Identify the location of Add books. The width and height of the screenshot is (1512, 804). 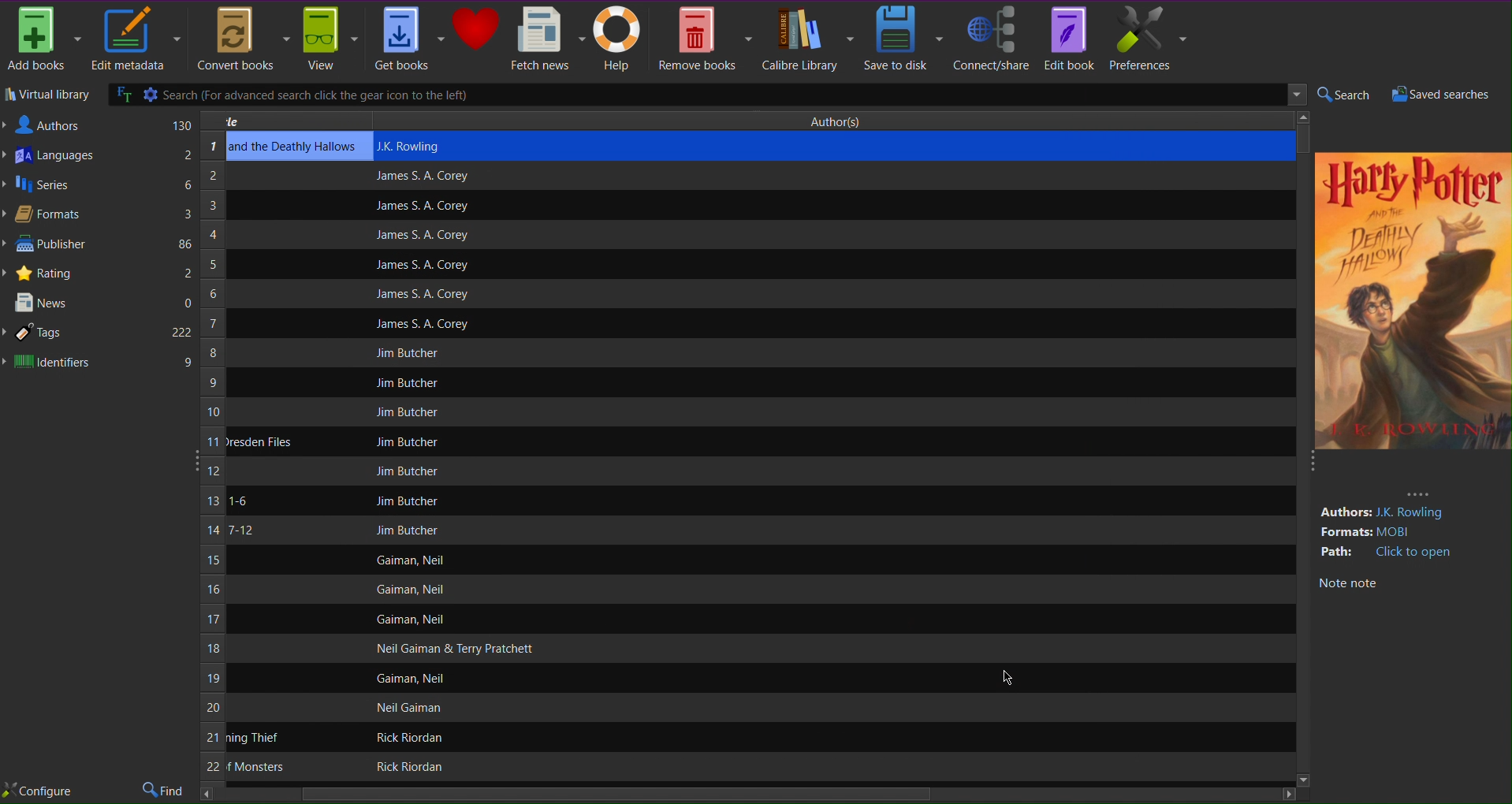
(43, 39).